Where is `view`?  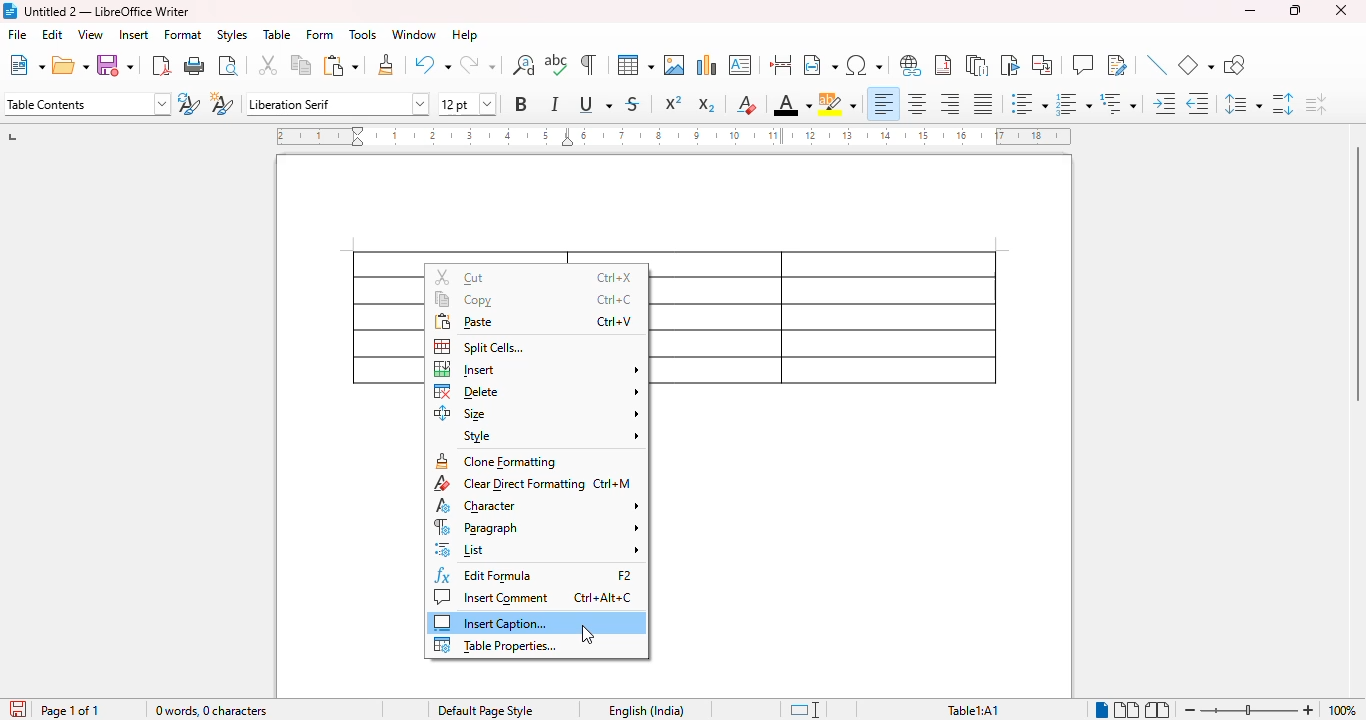 view is located at coordinates (91, 34).